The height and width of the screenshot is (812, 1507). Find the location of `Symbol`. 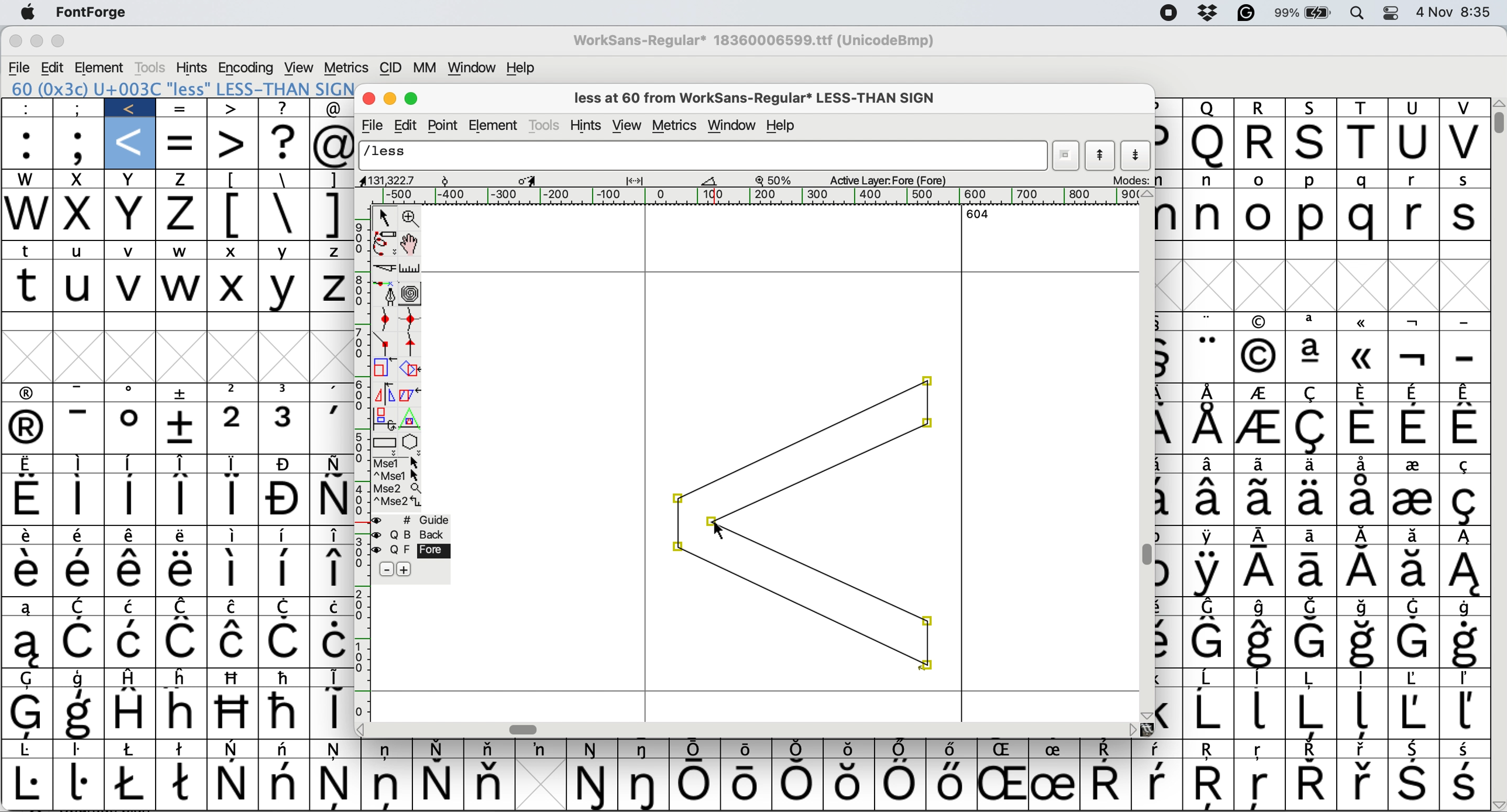

Symbol is located at coordinates (1210, 392).